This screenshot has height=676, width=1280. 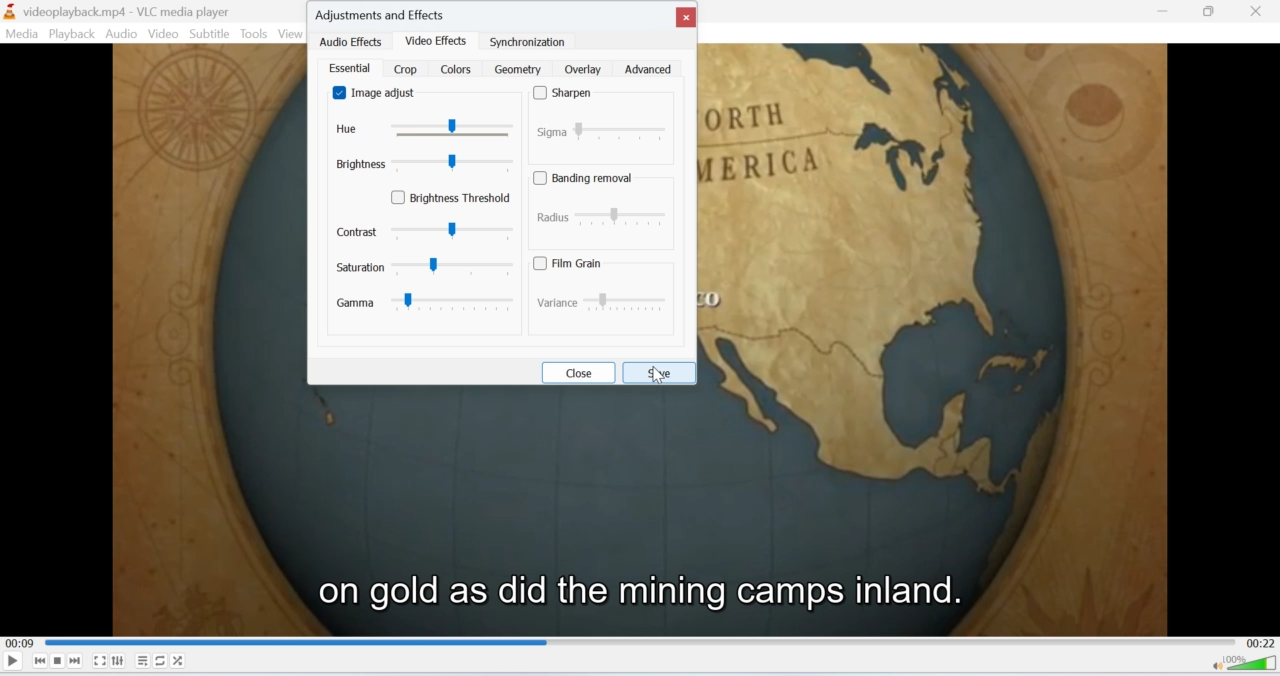 I want to click on Shuffle, so click(x=178, y=661).